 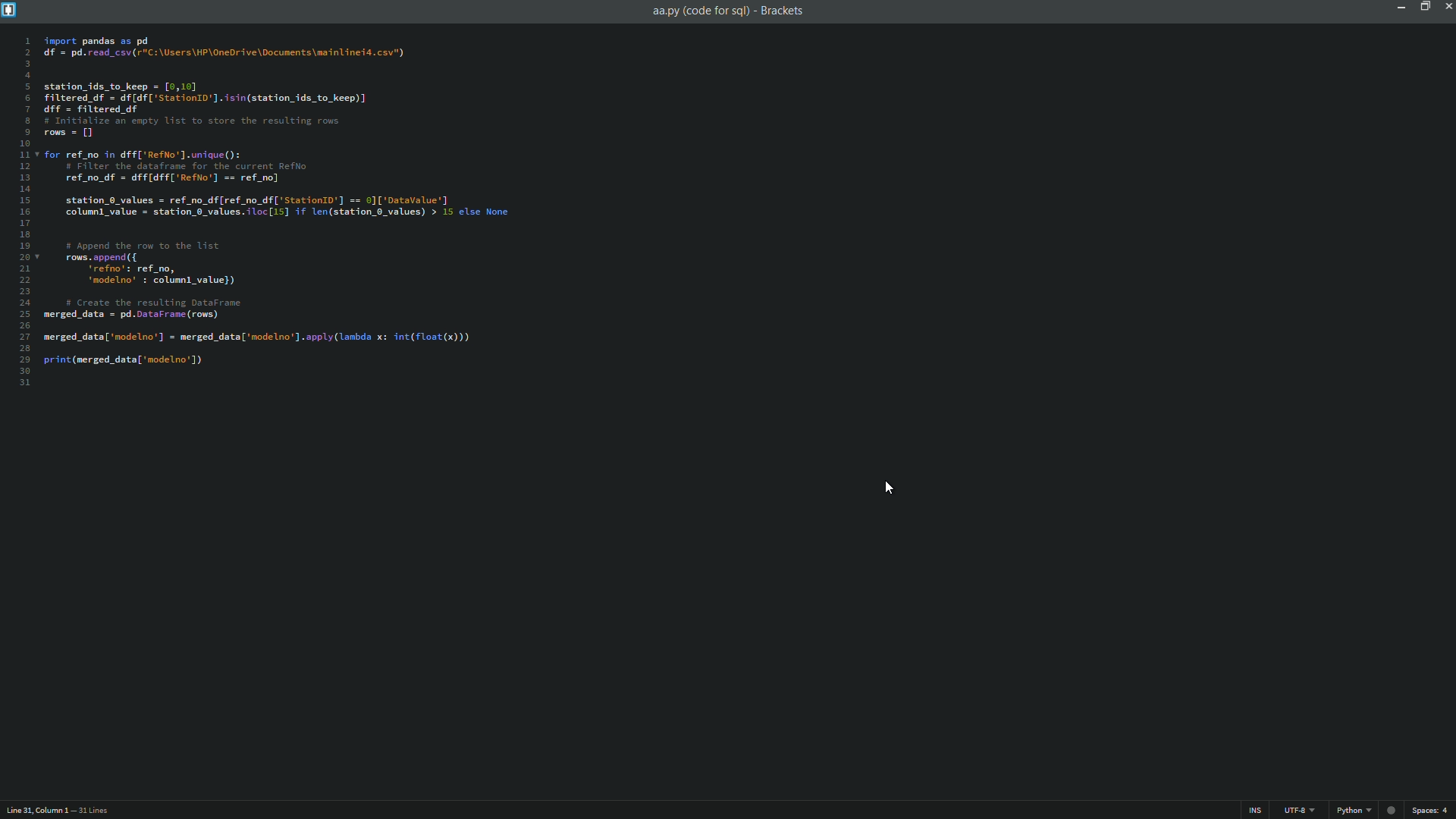 I want to click on file encoding, so click(x=1298, y=811).